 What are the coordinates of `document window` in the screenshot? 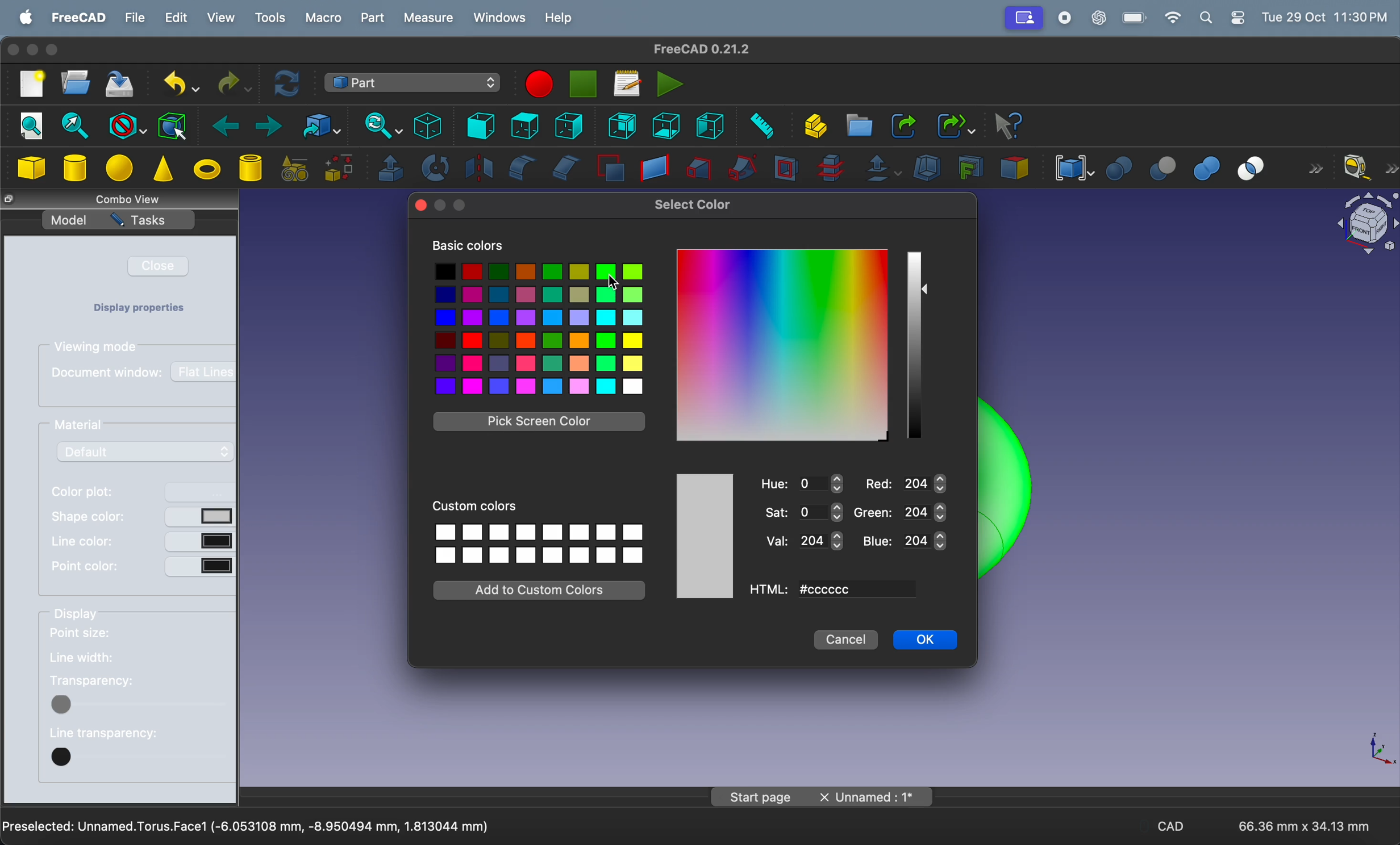 It's located at (108, 374).